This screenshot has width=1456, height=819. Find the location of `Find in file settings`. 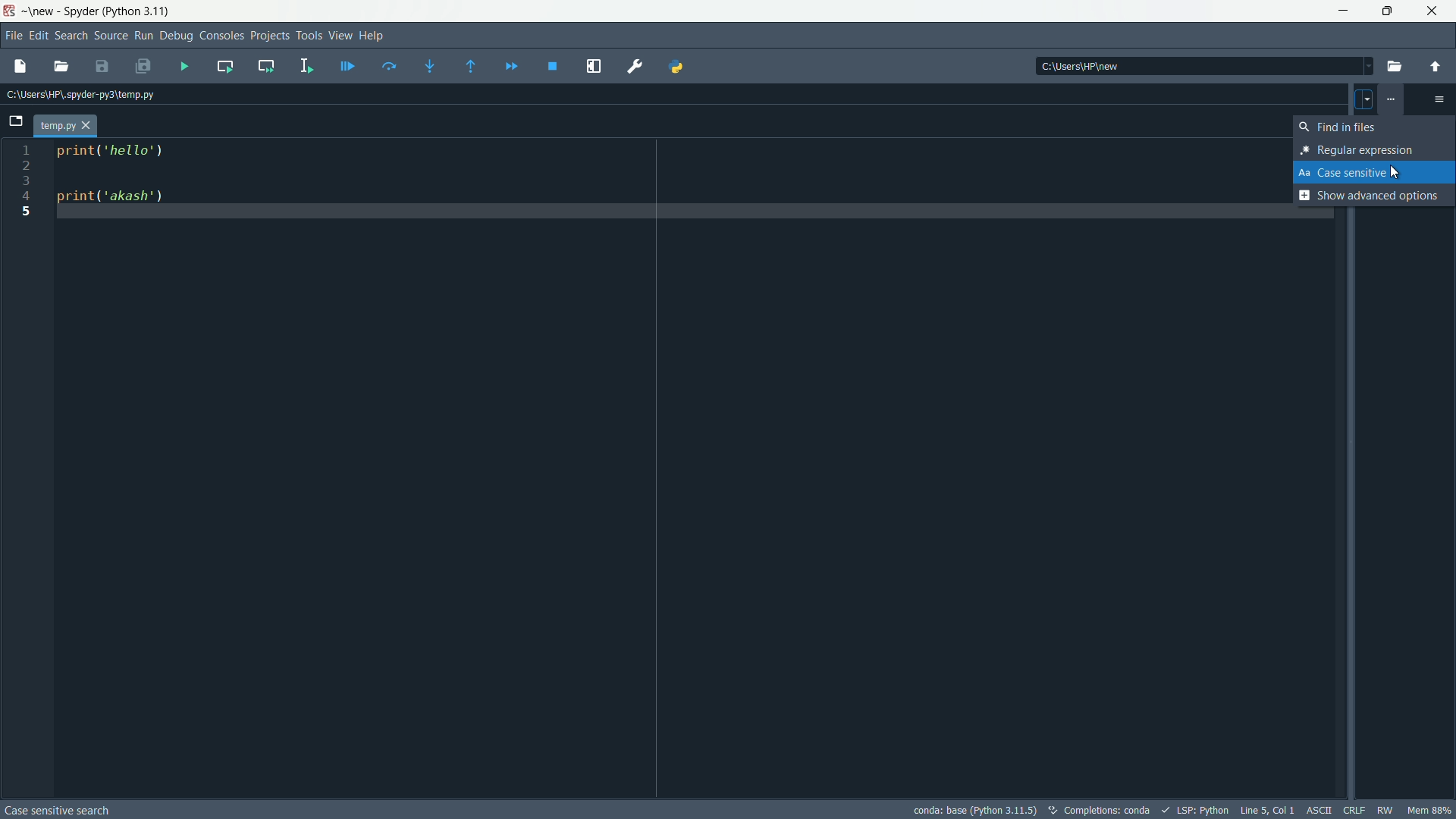

Find in file settings is located at coordinates (1390, 99).